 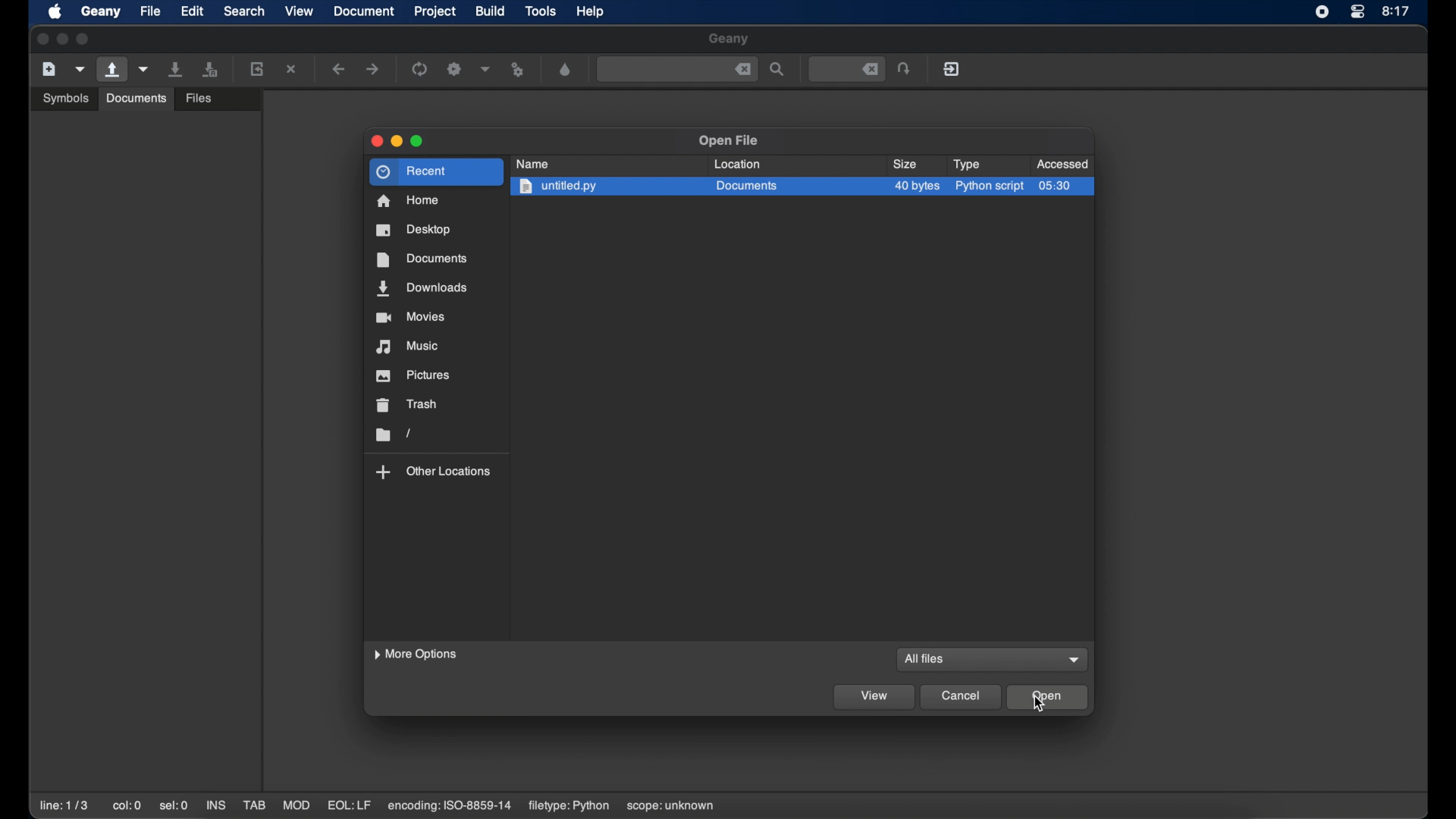 I want to click on jump to entered line number, so click(x=848, y=69).